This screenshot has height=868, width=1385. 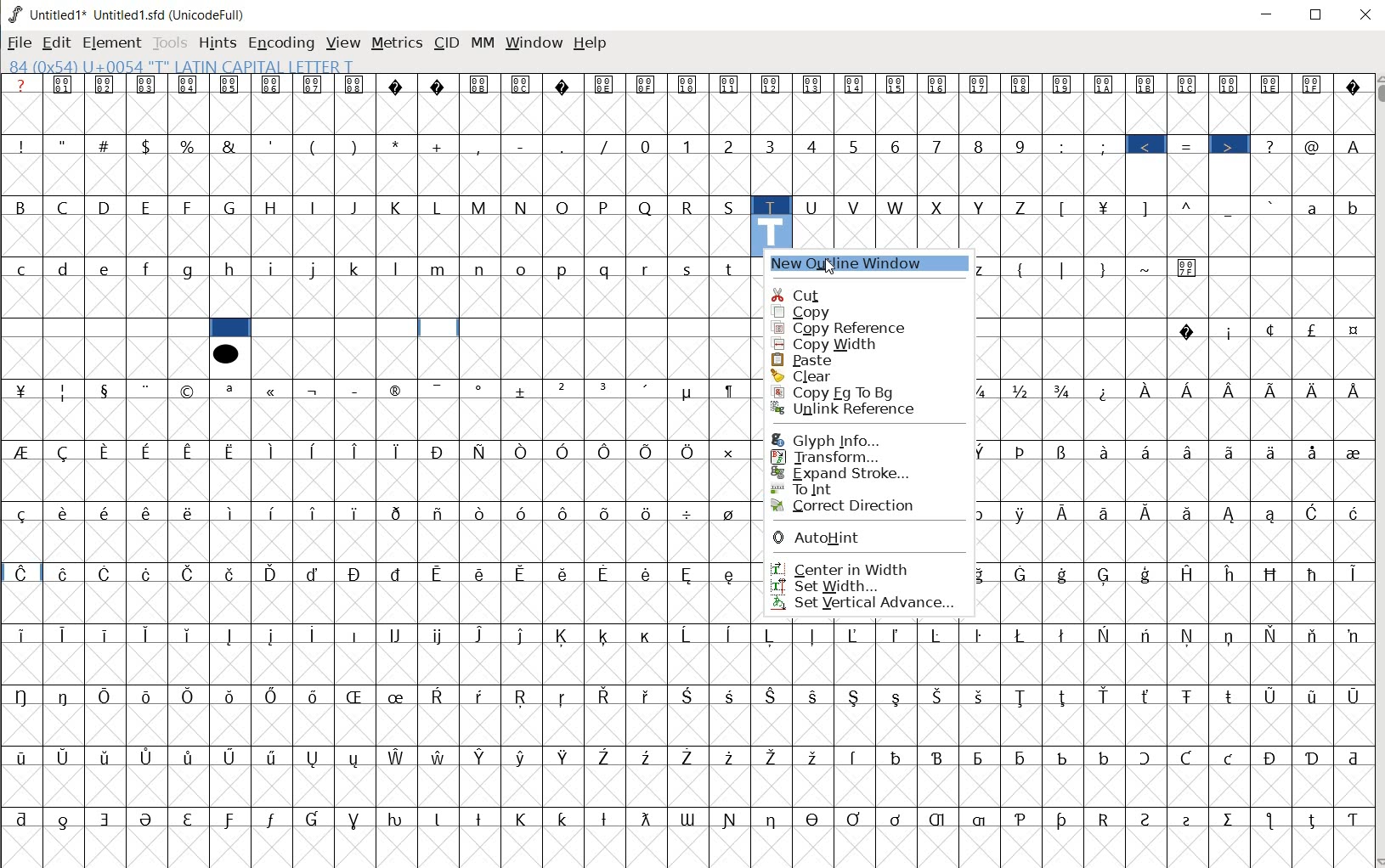 What do you see at coordinates (441, 636) in the screenshot?
I see `Symbol` at bounding box center [441, 636].